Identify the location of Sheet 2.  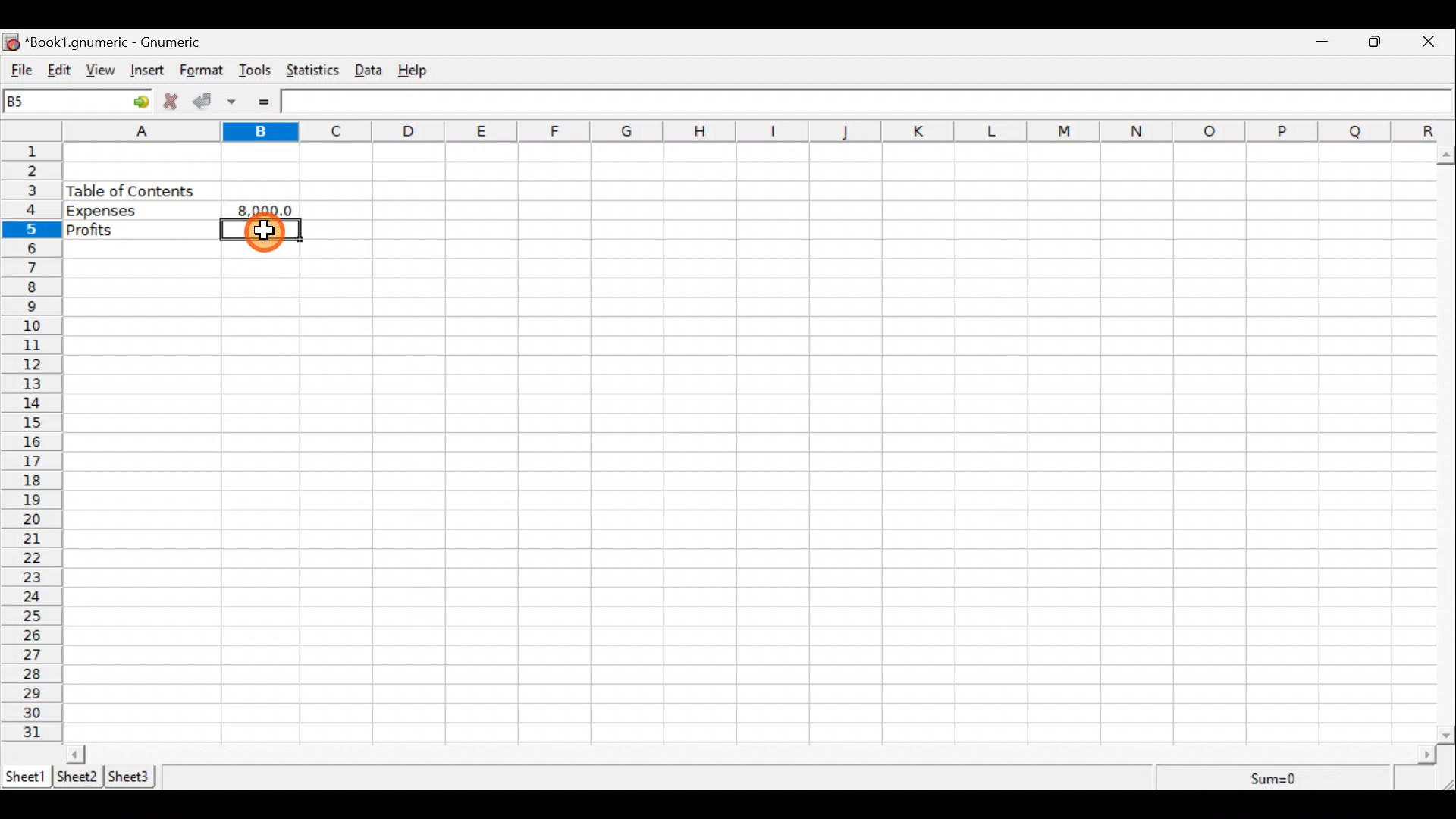
(78, 777).